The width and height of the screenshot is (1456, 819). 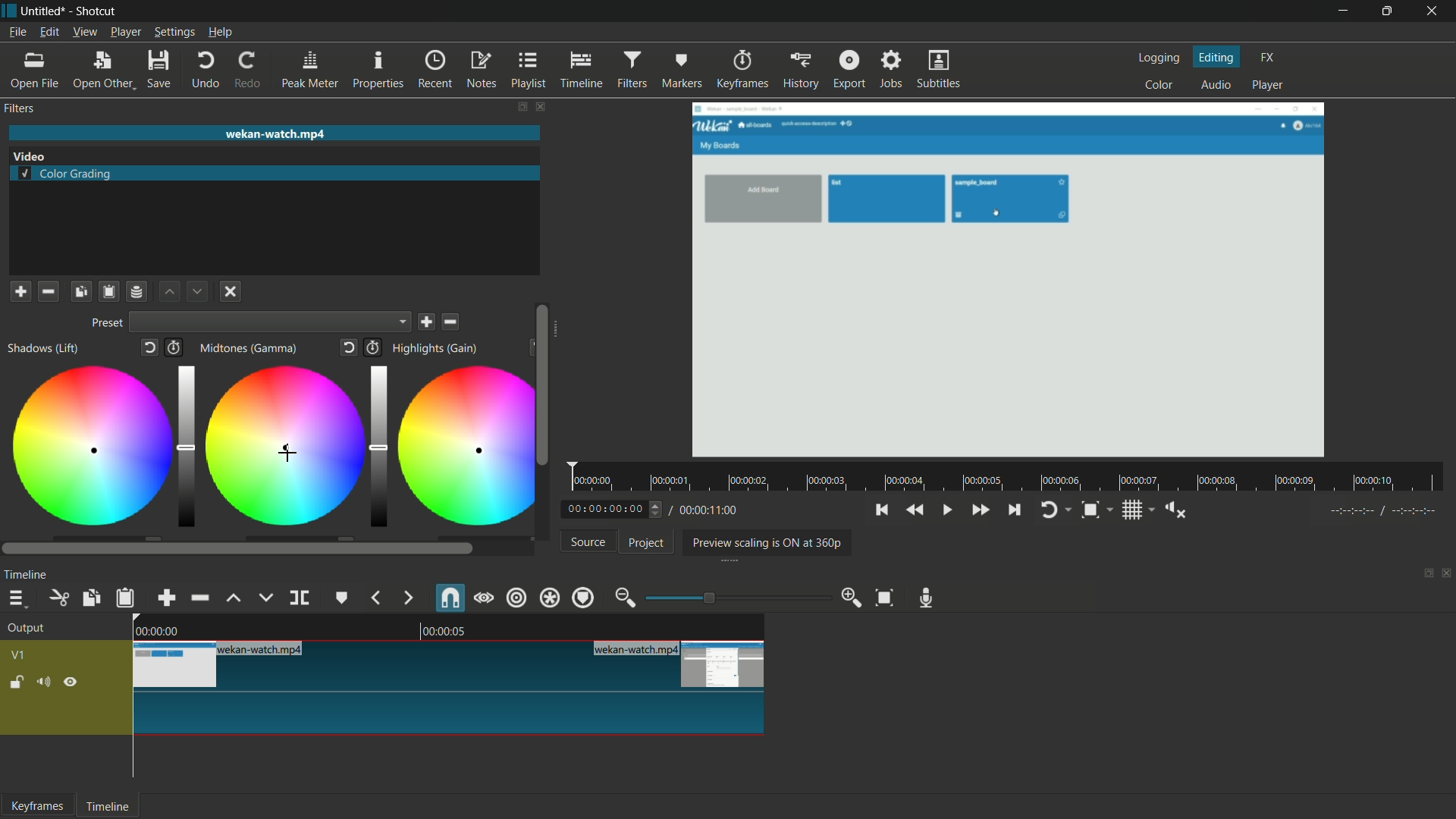 What do you see at coordinates (406, 598) in the screenshot?
I see `next marker` at bounding box center [406, 598].